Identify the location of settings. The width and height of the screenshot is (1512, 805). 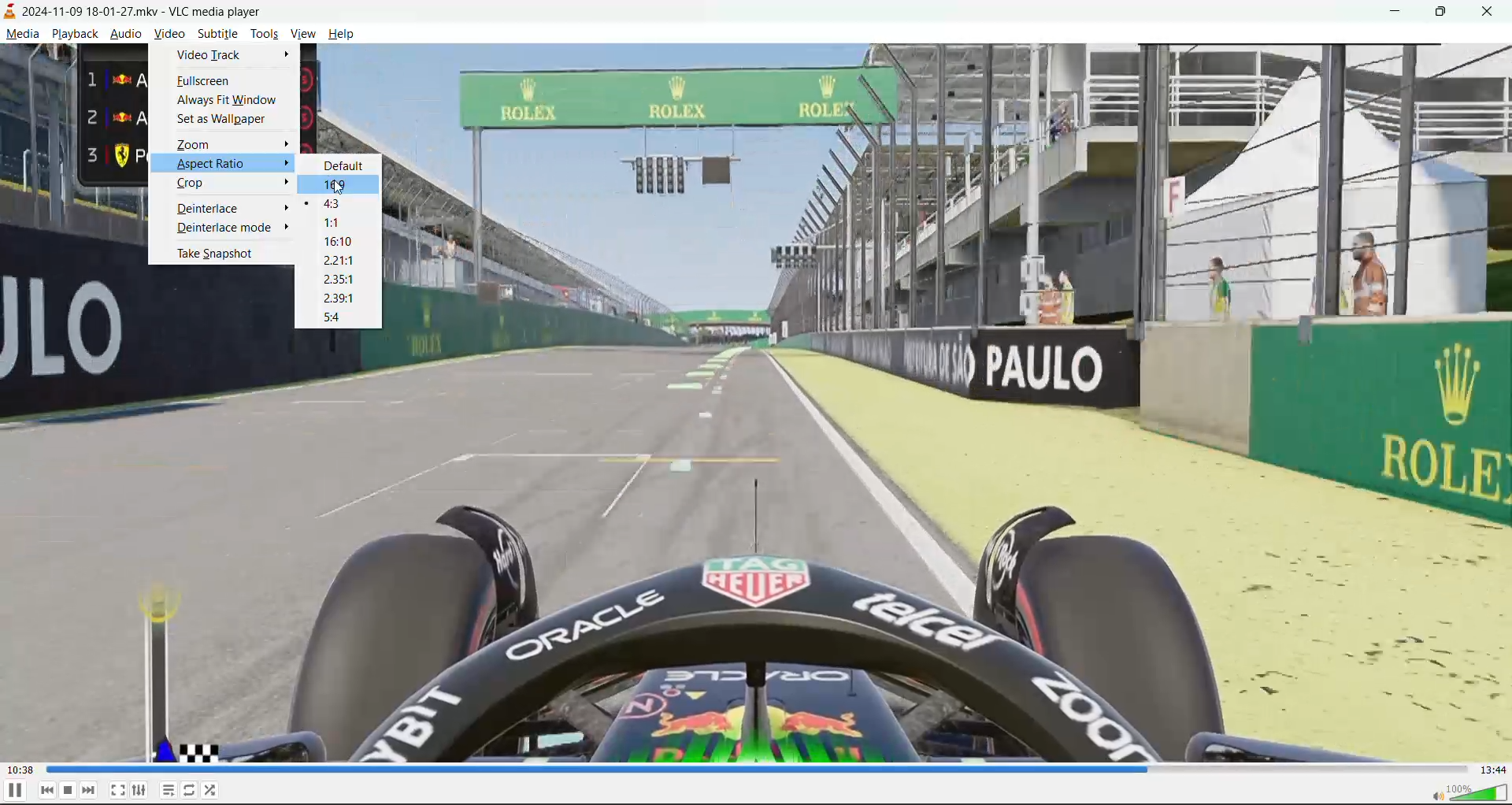
(140, 791).